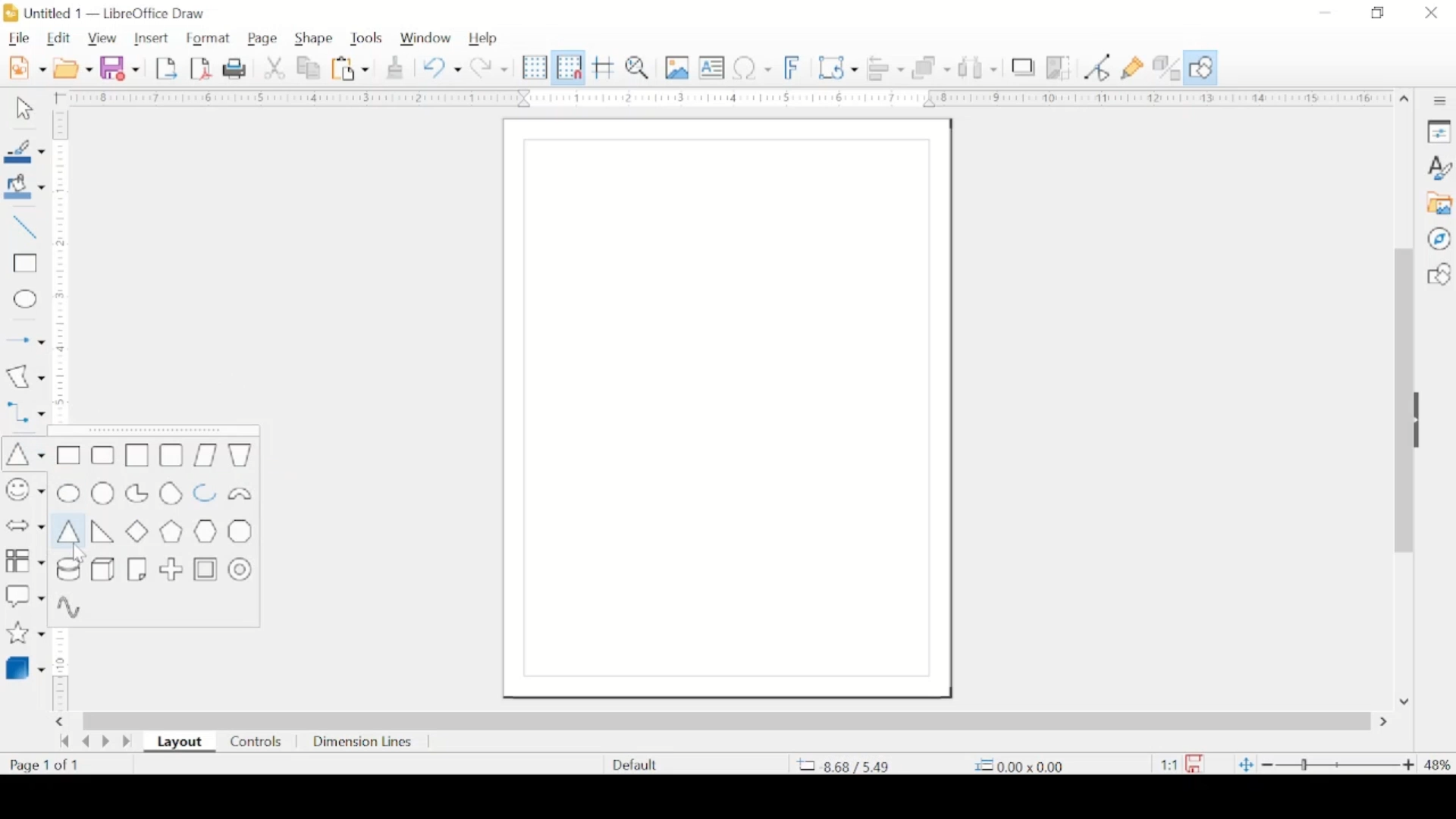 The image size is (1456, 819). What do you see at coordinates (1432, 13) in the screenshot?
I see `close` at bounding box center [1432, 13].